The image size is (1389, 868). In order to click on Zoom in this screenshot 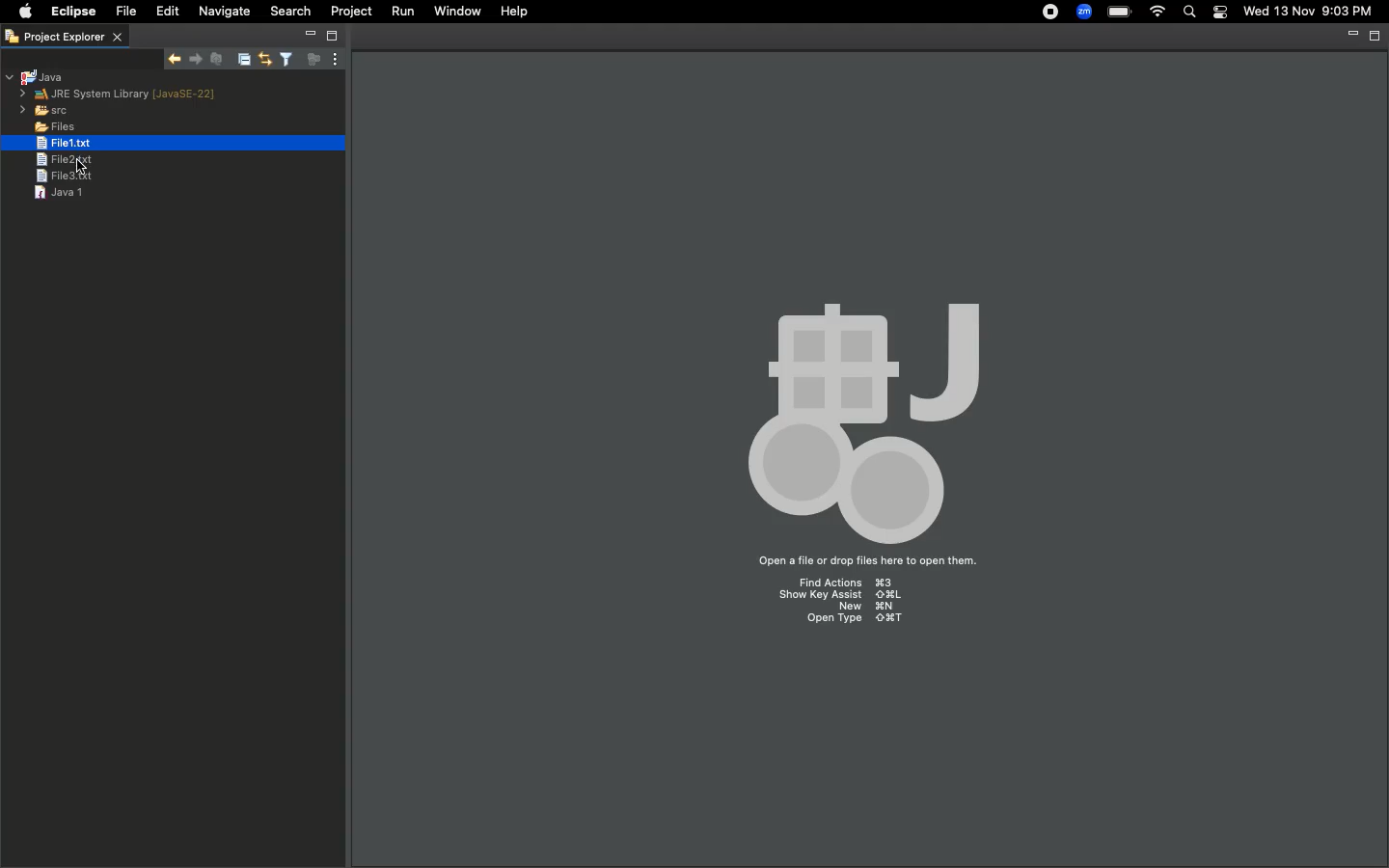, I will do `click(1084, 12)`.